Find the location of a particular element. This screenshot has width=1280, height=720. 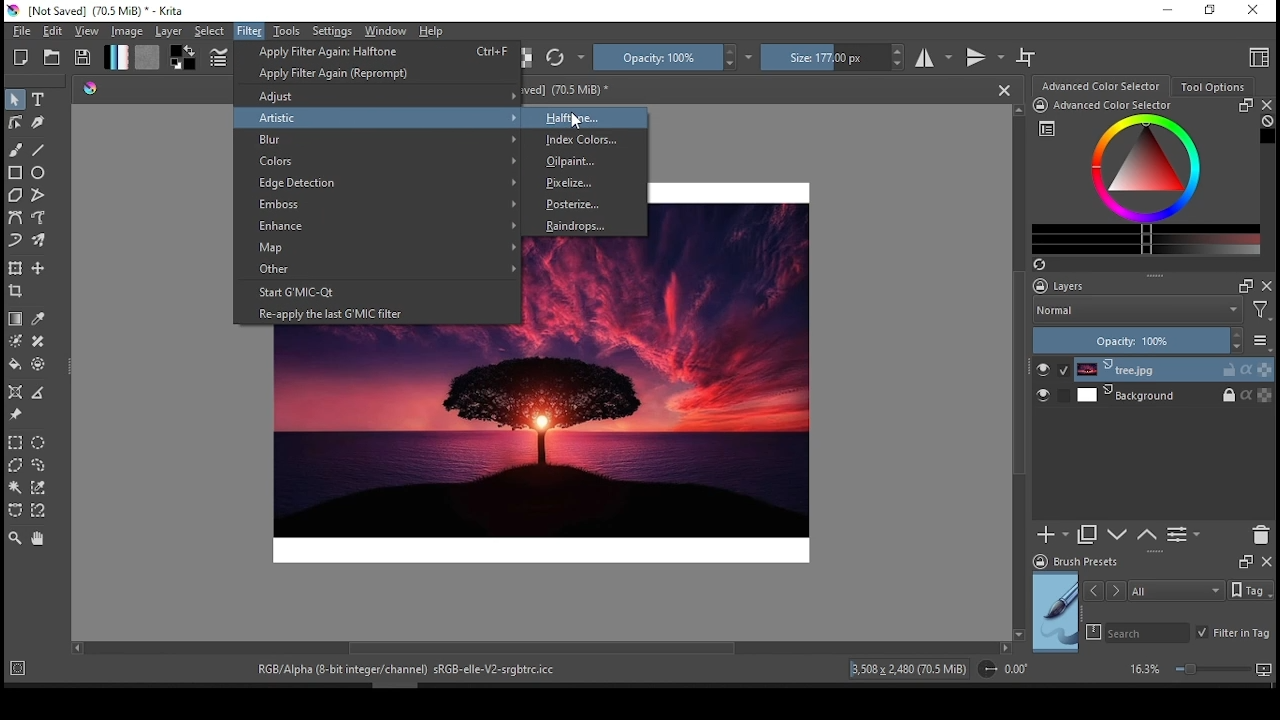

restore is located at coordinates (1208, 11).